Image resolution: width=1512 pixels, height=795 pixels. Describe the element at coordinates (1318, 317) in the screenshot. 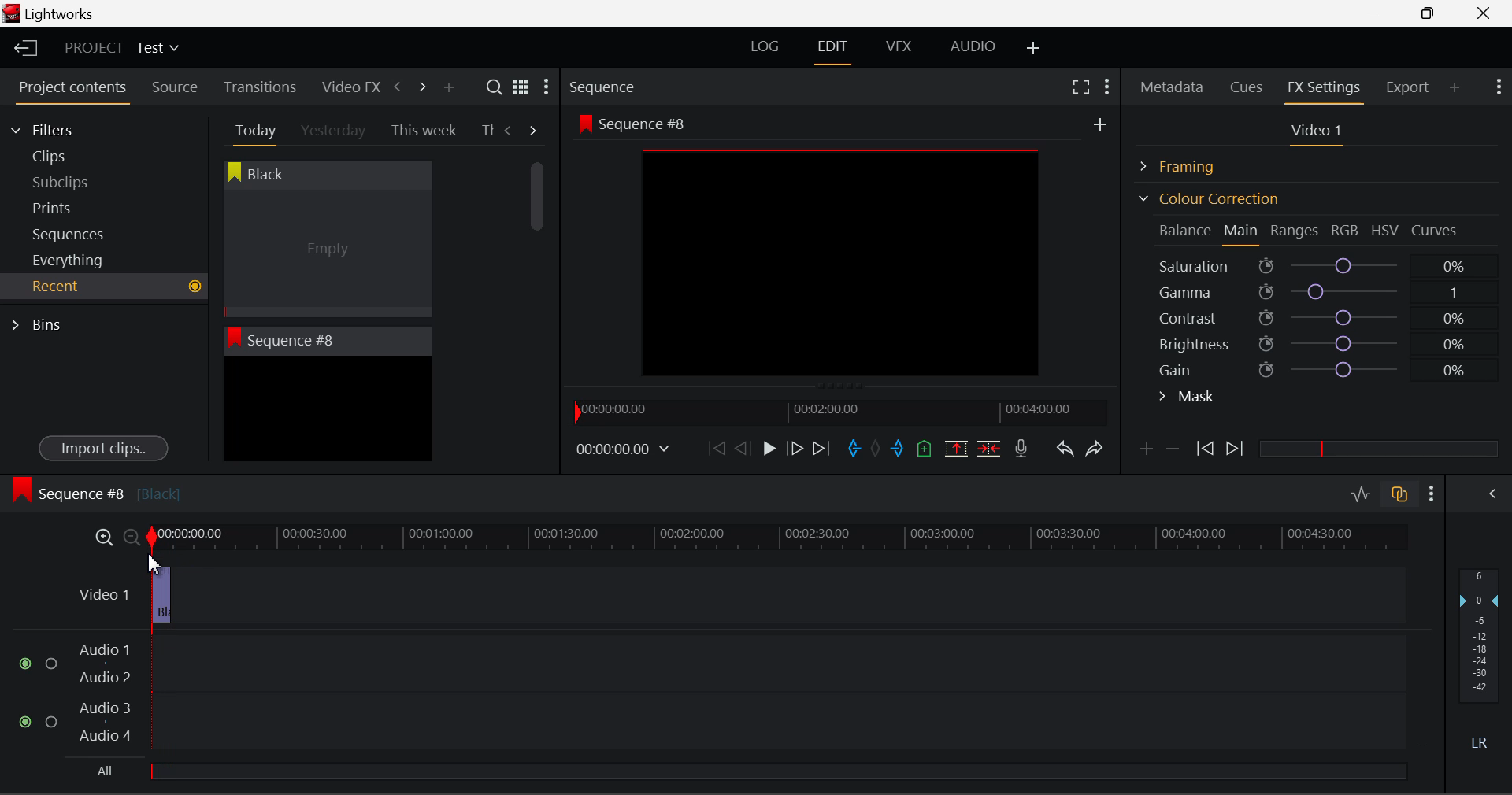

I see `Contrast` at that location.